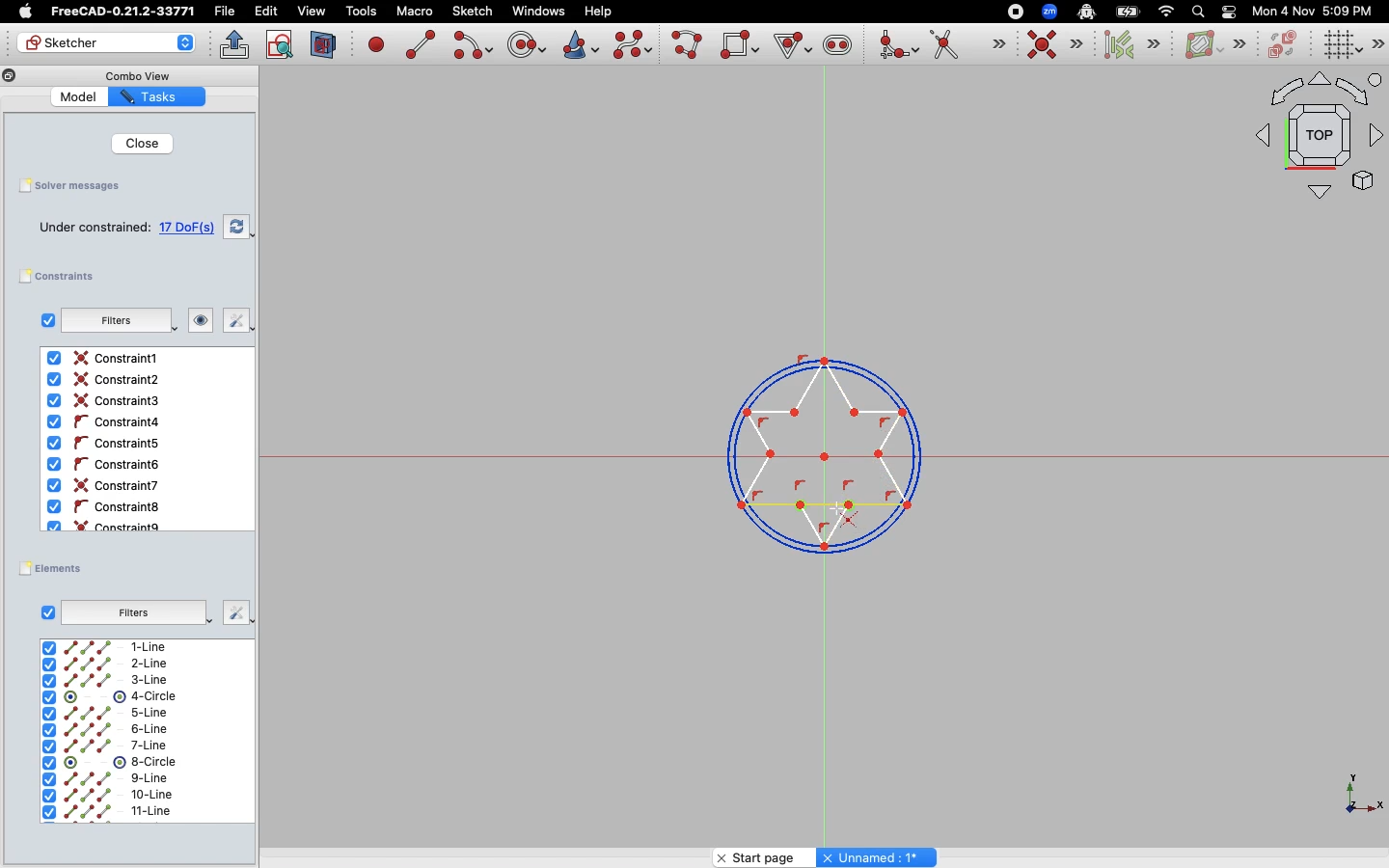  What do you see at coordinates (76, 95) in the screenshot?
I see `Model` at bounding box center [76, 95].